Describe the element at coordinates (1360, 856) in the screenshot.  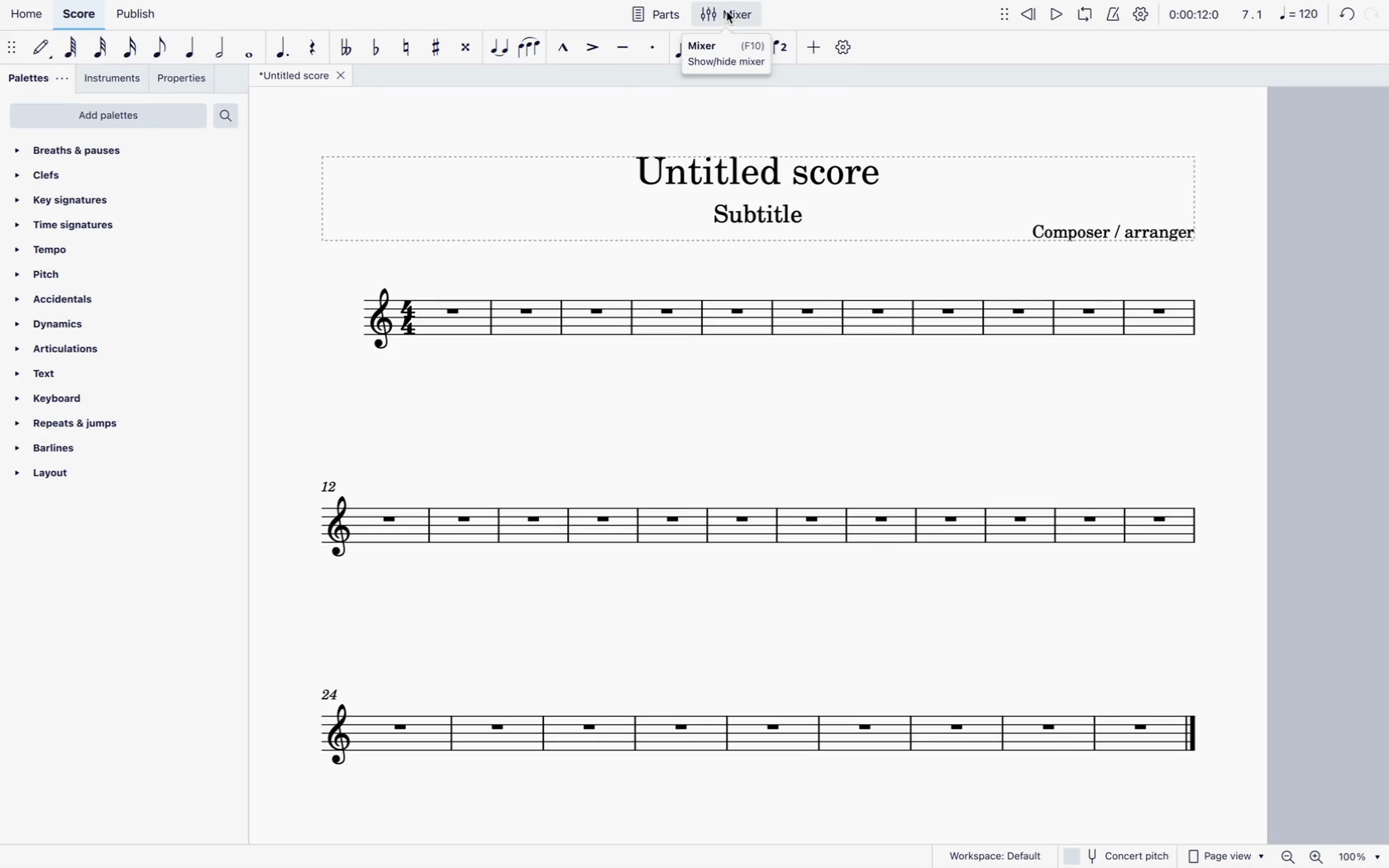
I see `zoom percentage` at that location.